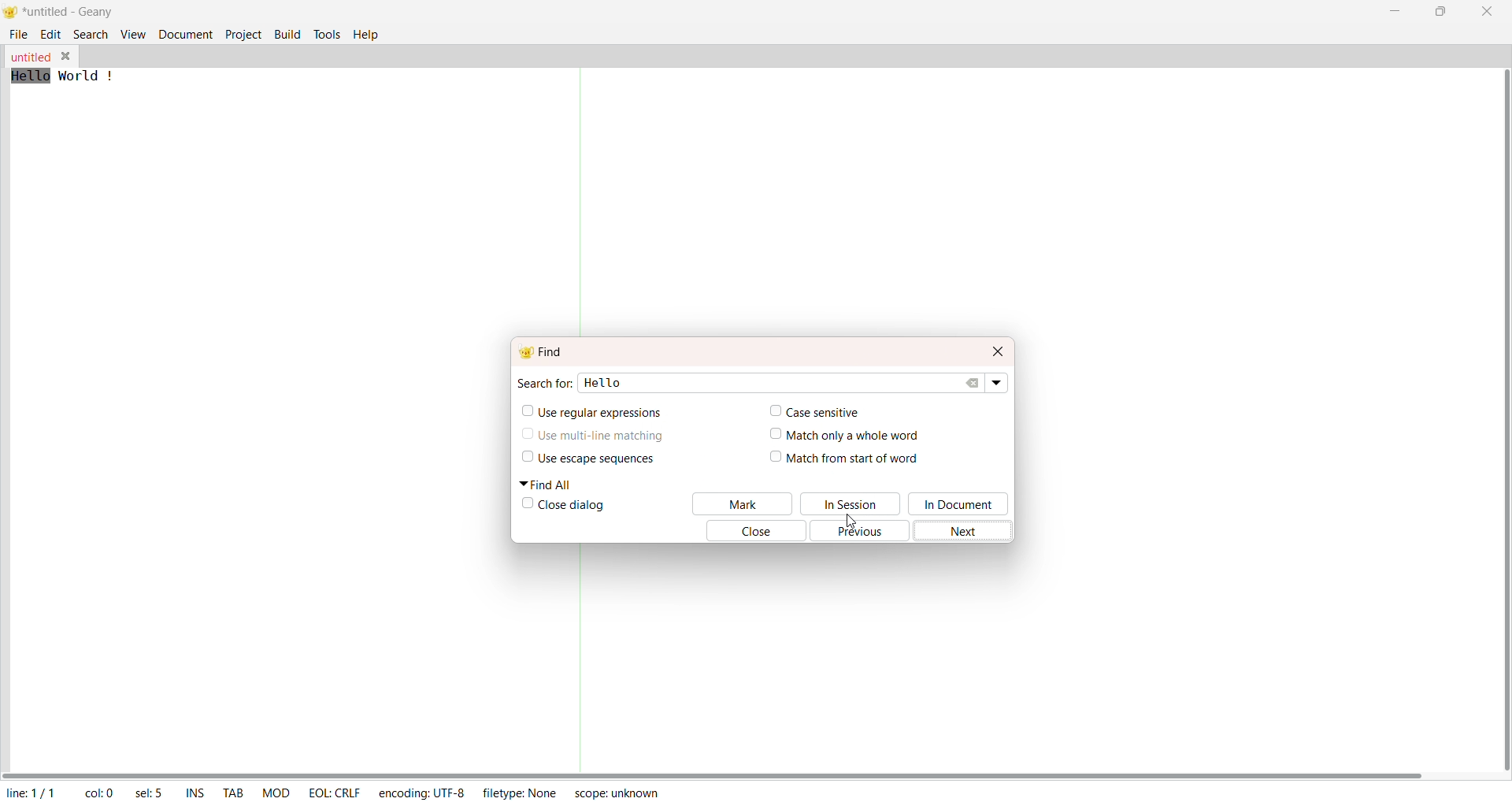 Image resolution: width=1512 pixels, height=802 pixels. I want to click on Clear All, so click(976, 383).